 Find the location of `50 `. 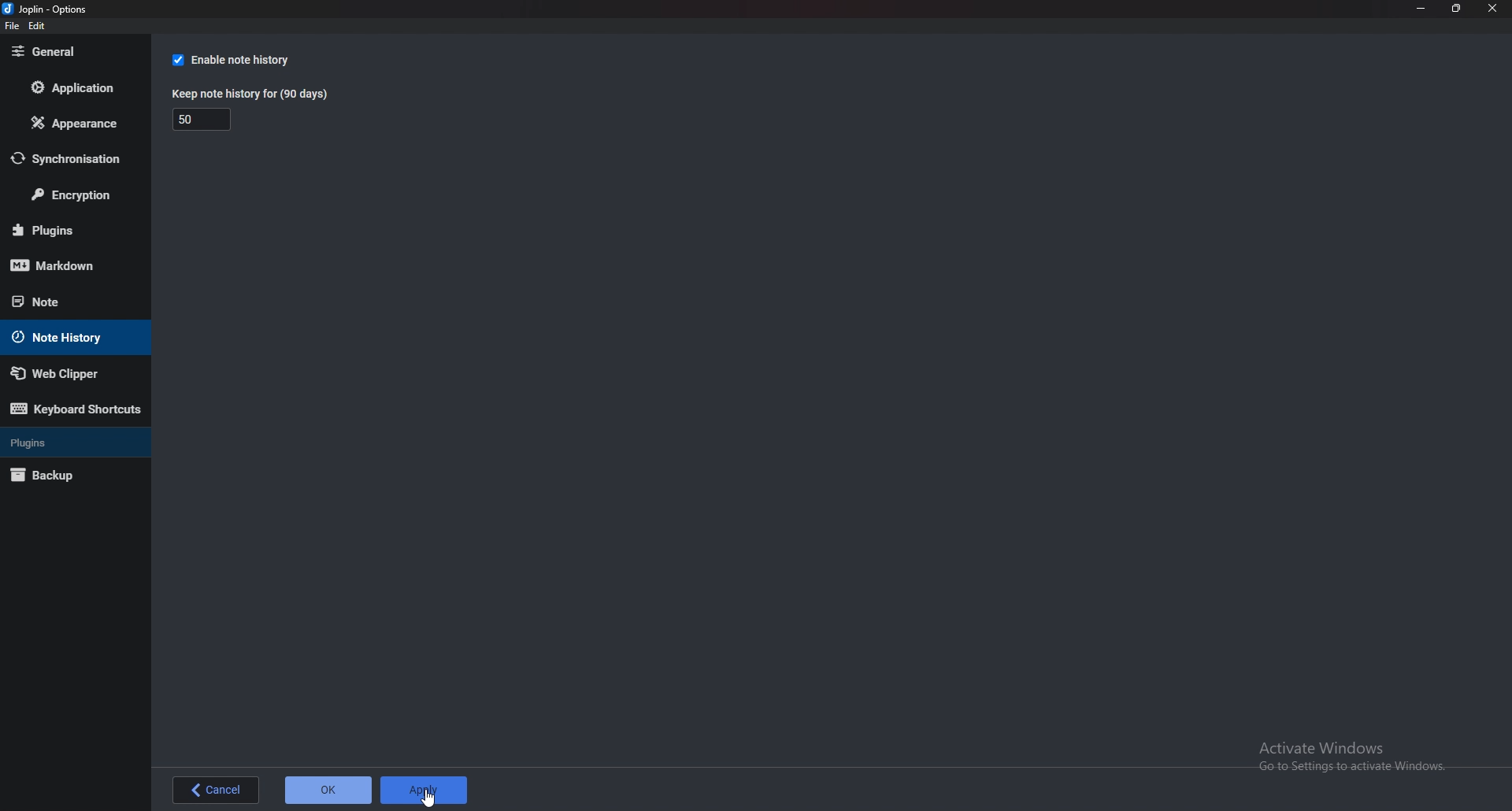

50  is located at coordinates (203, 120).